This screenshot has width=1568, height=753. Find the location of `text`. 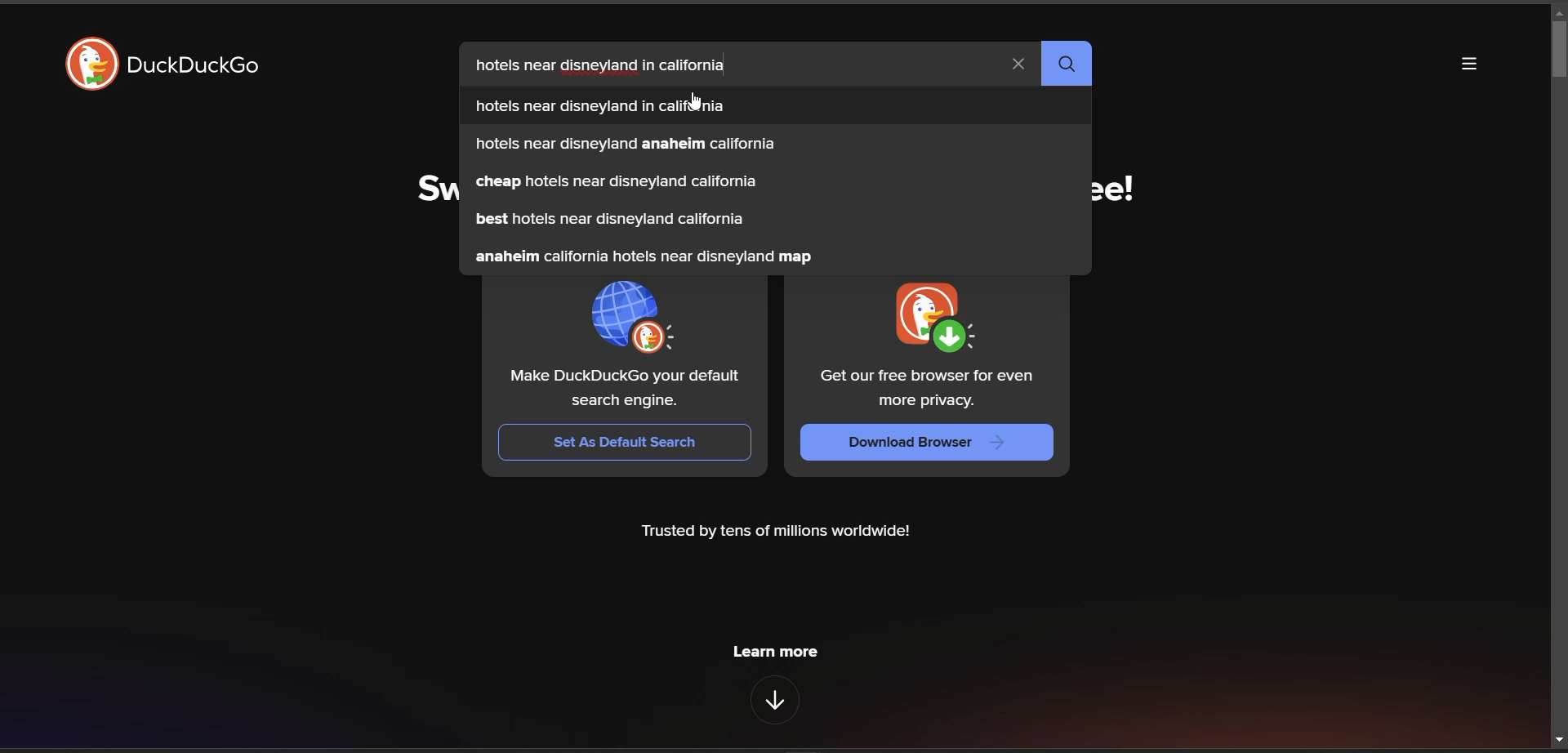

text is located at coordinates (625, 387).